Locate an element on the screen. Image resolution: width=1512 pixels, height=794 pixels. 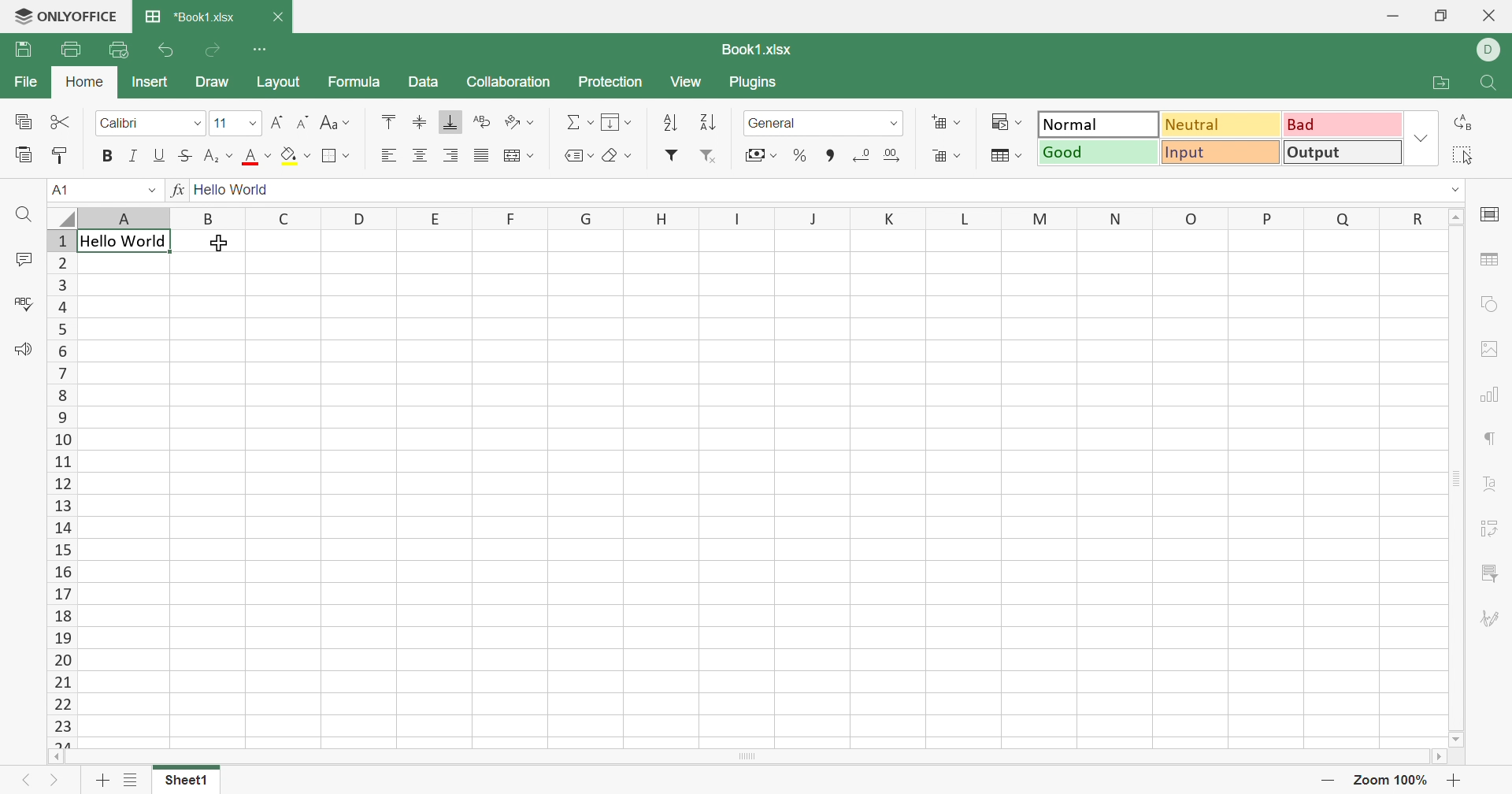
Accounting style is located at coordinates (760, 154).